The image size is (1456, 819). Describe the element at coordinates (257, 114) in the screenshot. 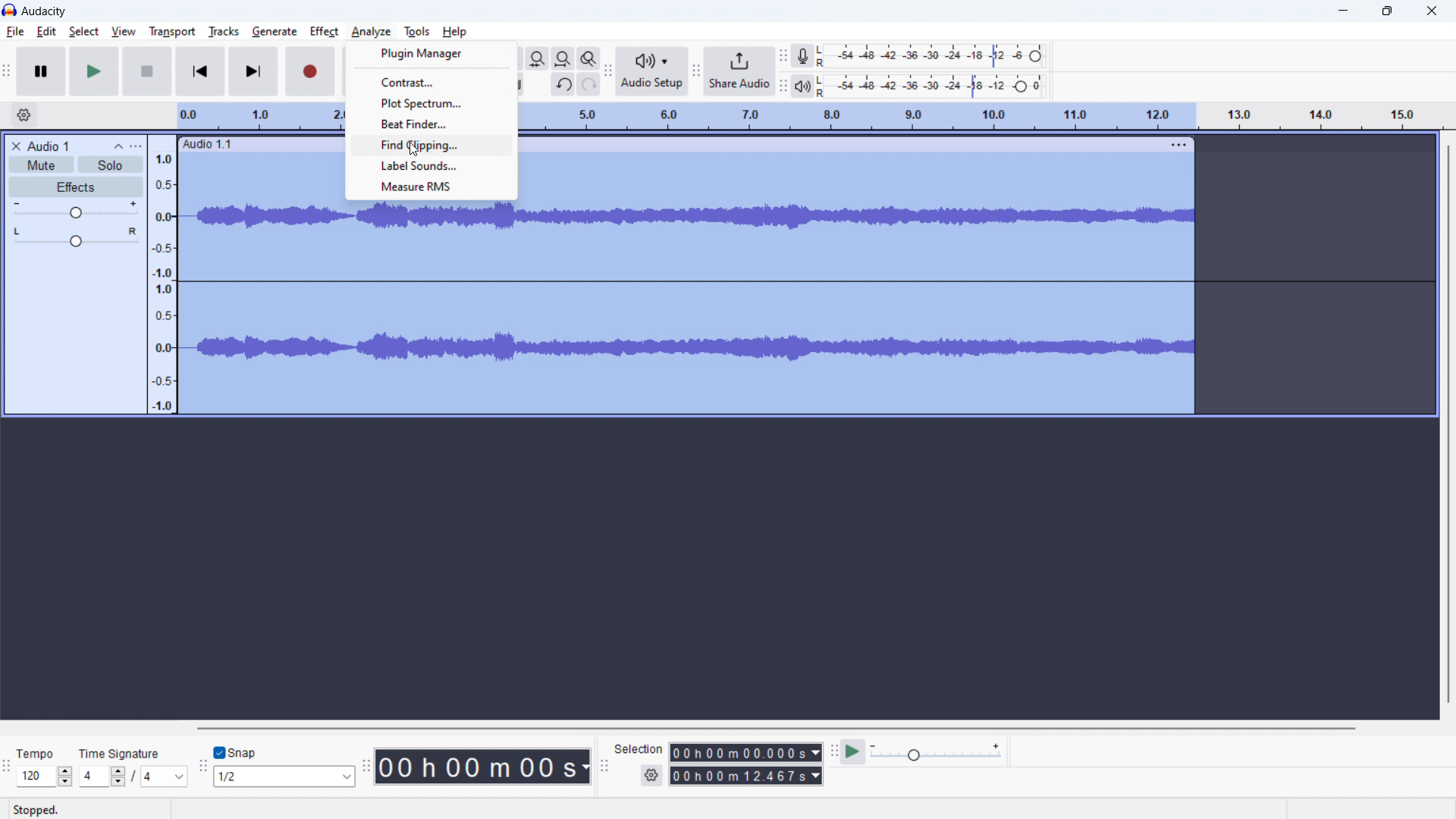

I see `Timeline` at that location.